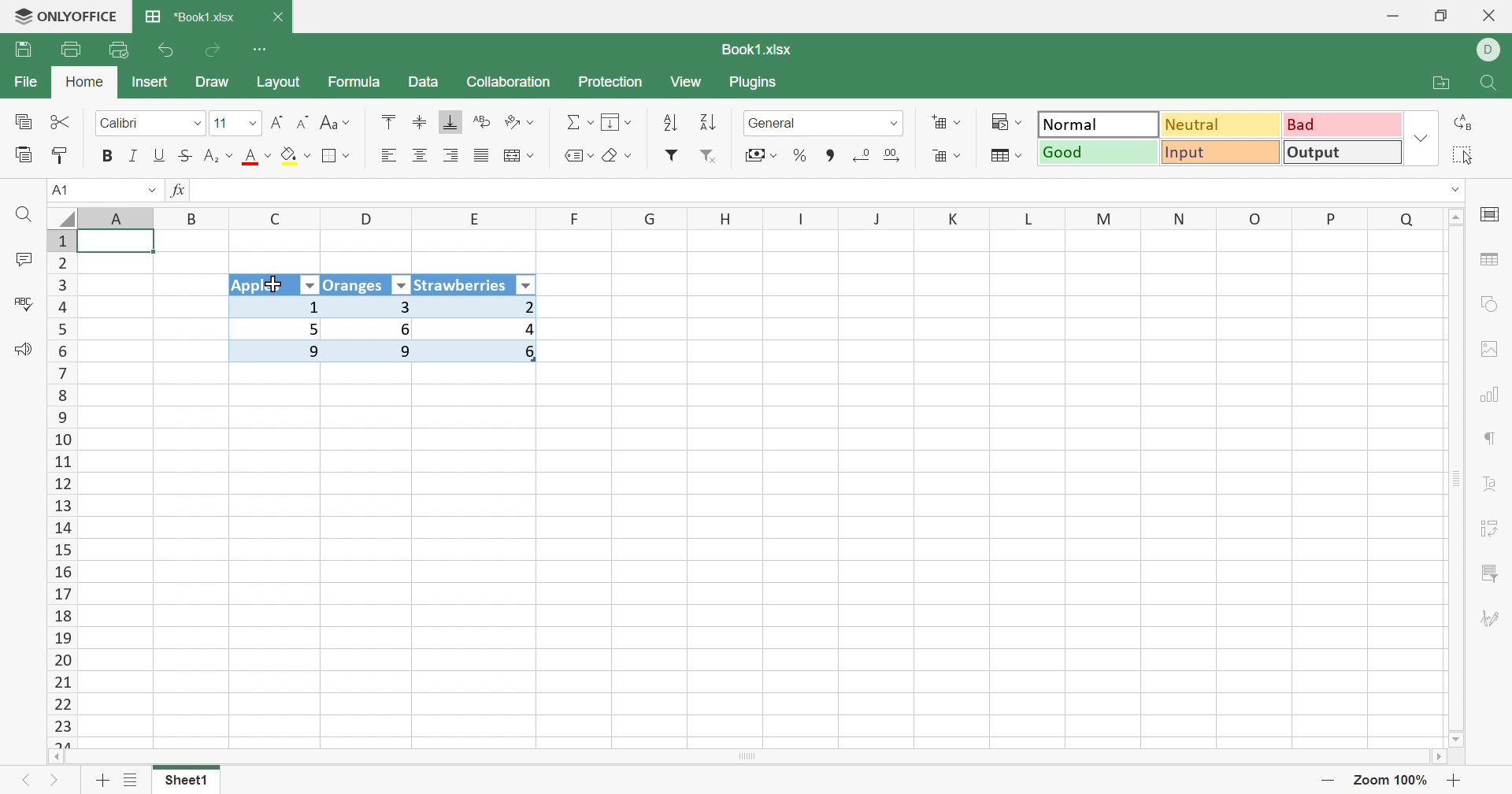  Describe the element at coordinates (120, 50) in the screenshot. I see `Quick Print` at that location.